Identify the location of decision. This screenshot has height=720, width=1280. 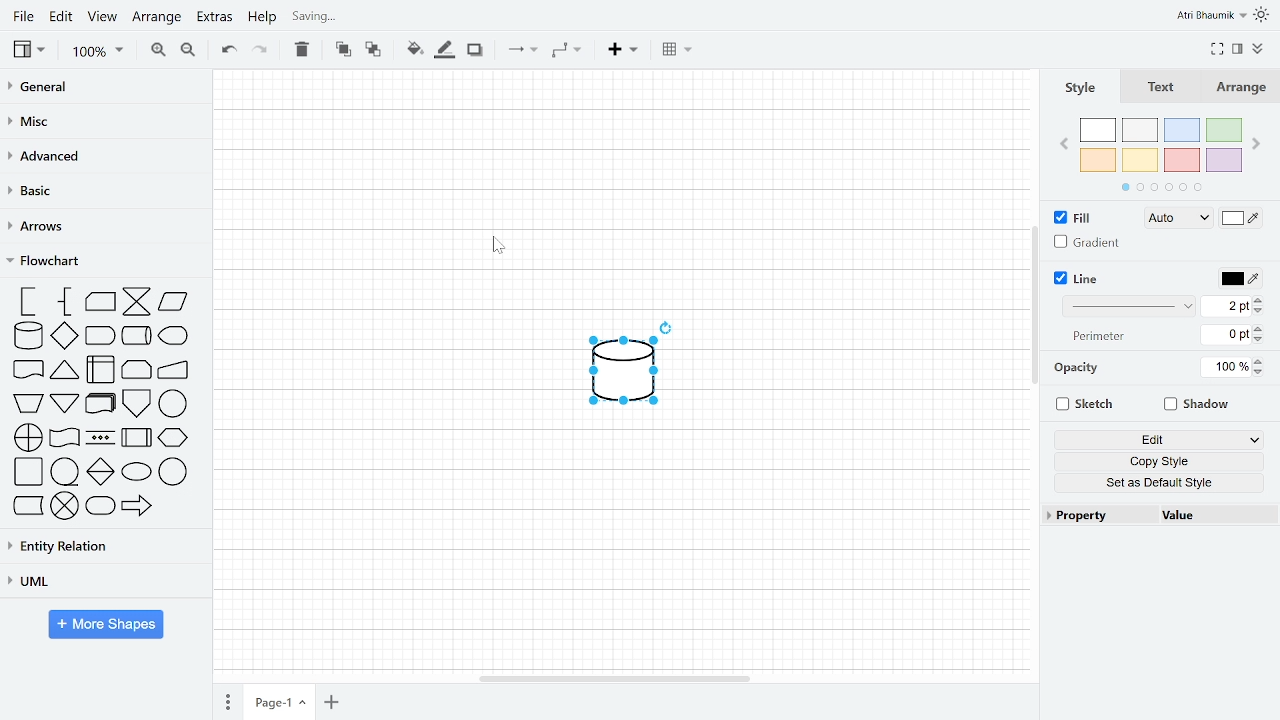
(66, 336).